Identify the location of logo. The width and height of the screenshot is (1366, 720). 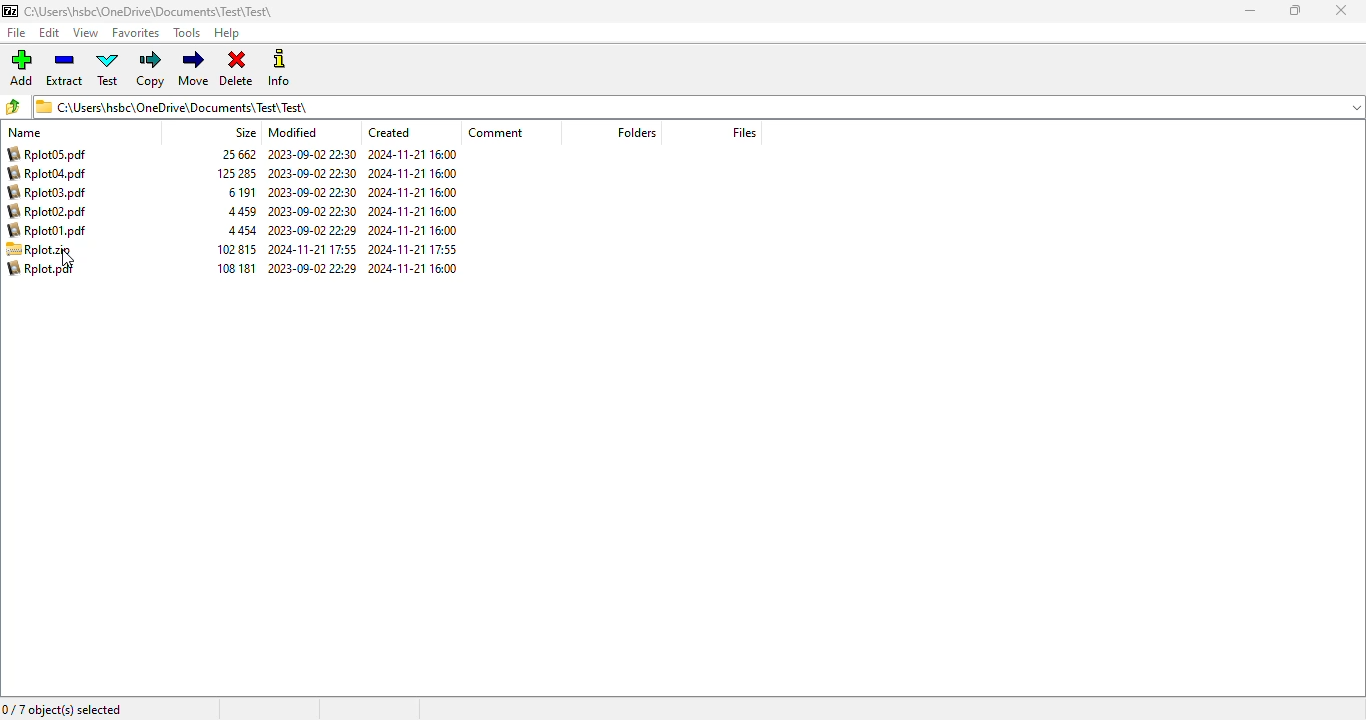
(9, 11).